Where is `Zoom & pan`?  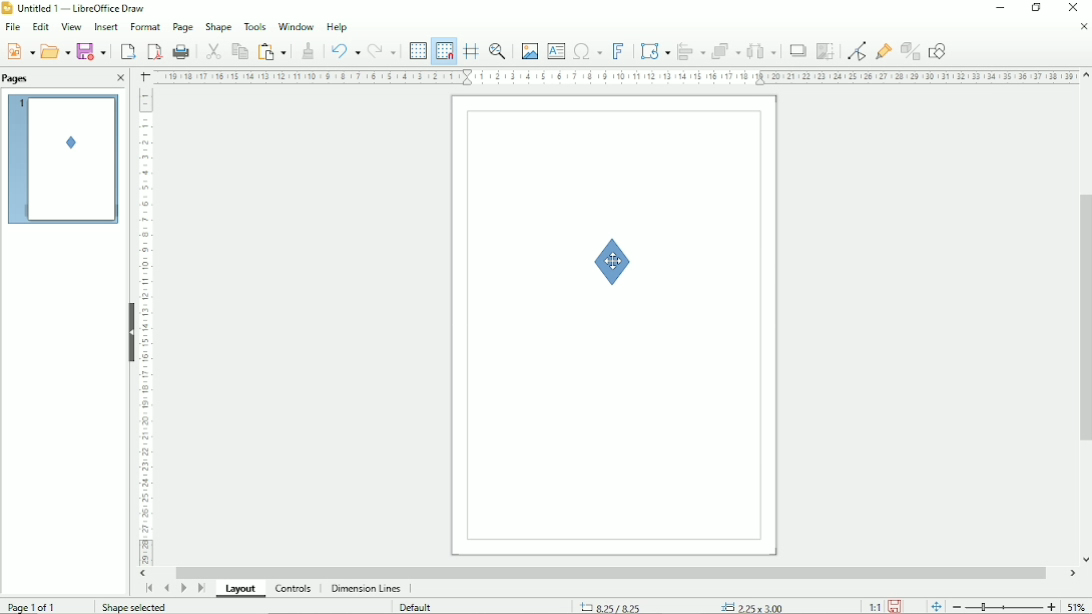 Zoom & pan is located at coordinates (499, 51).